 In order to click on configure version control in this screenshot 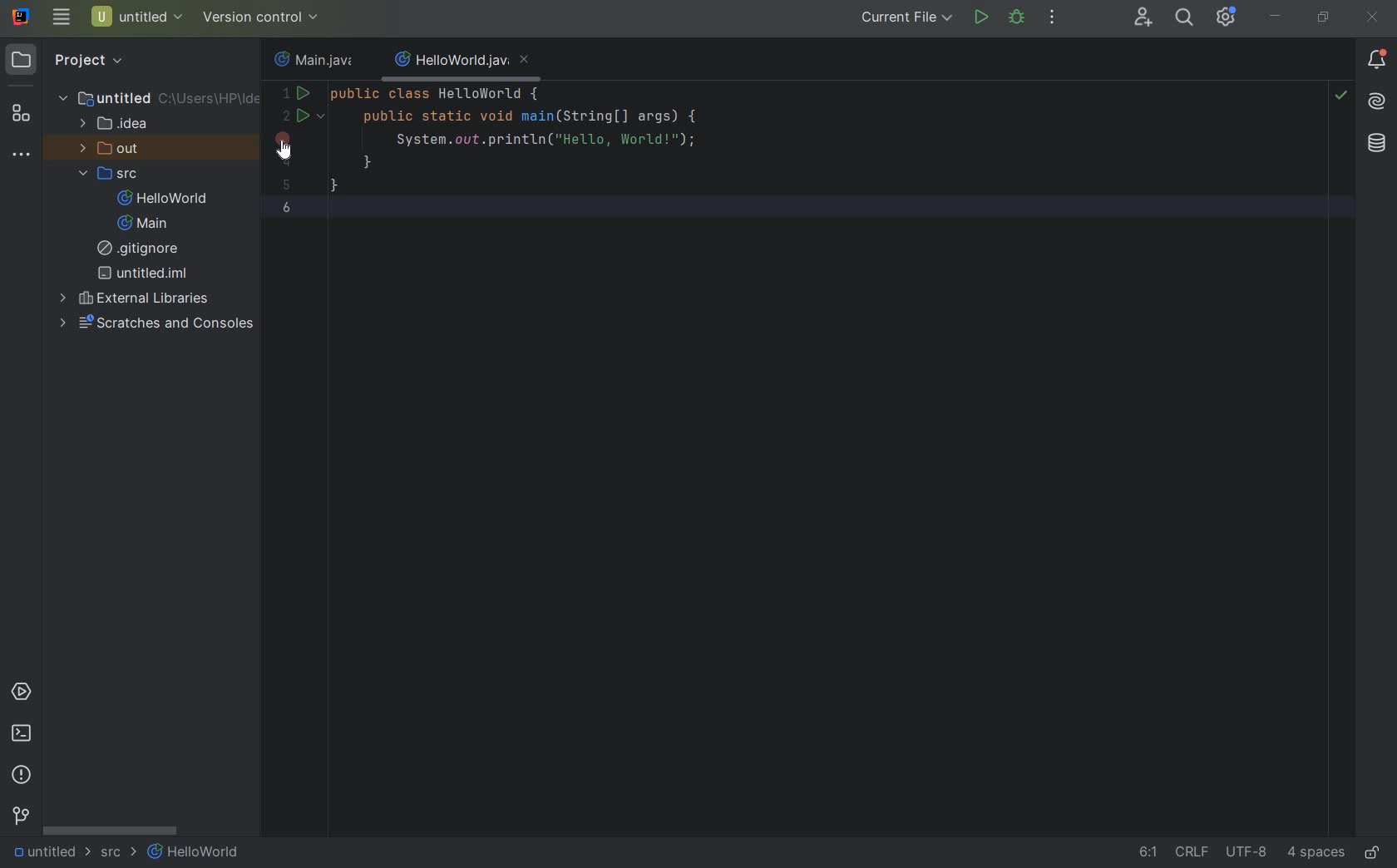, I will do `click(259, 17)`.